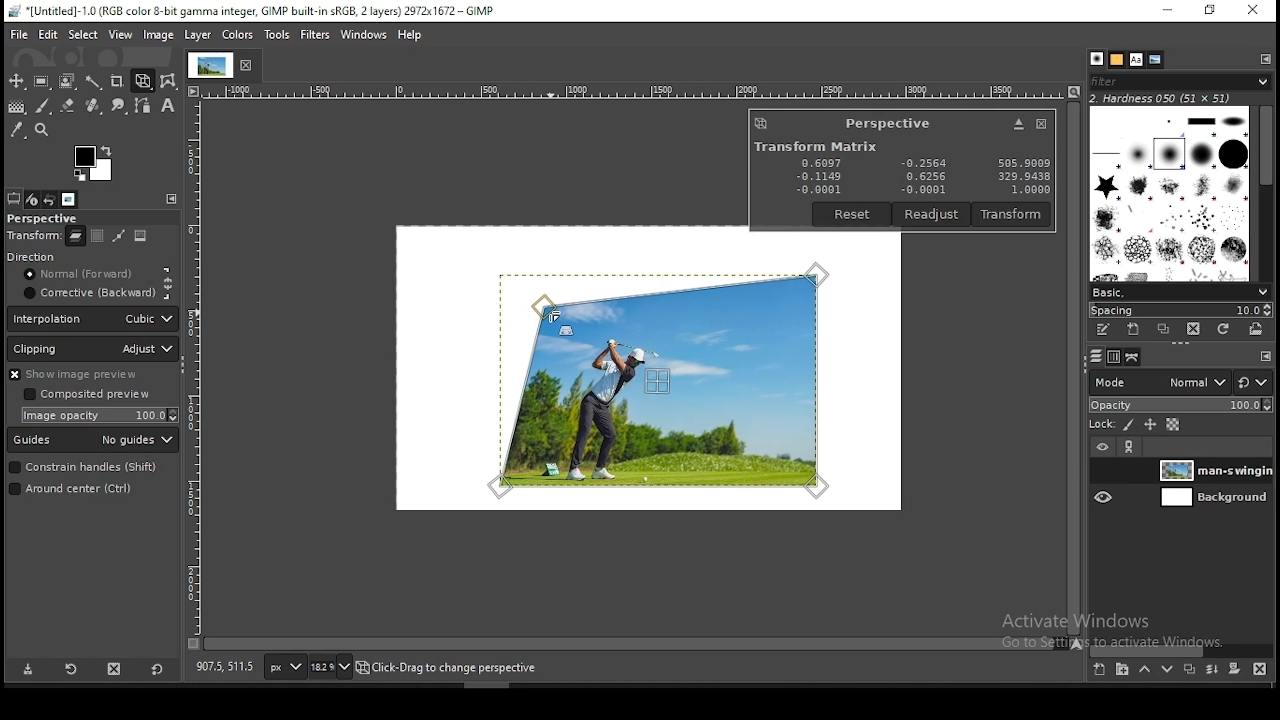  I want to click on logo, so click(761, 123).